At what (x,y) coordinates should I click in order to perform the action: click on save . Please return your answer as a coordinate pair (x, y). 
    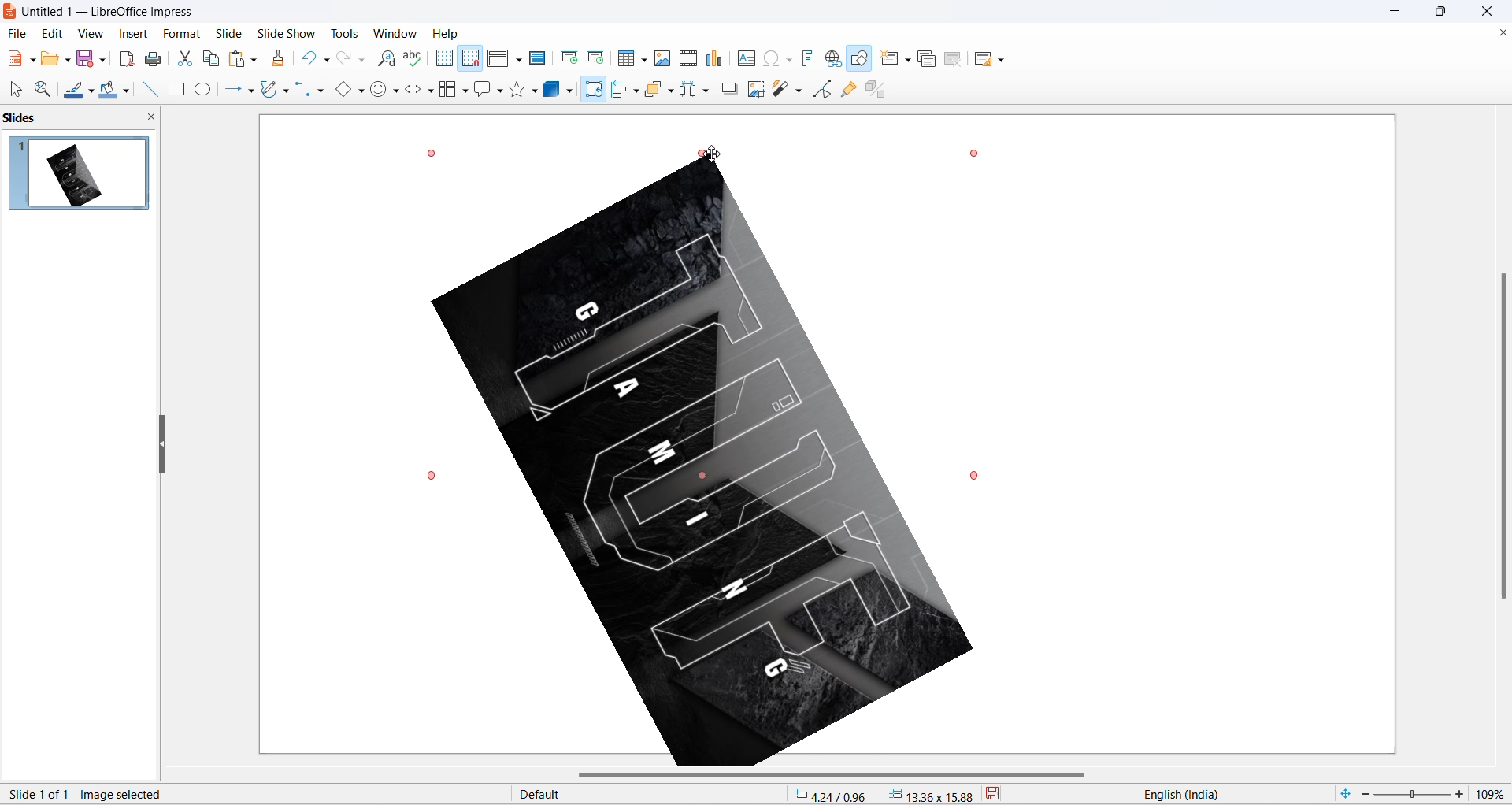
    Looking at the image, I should click on (86, 61).